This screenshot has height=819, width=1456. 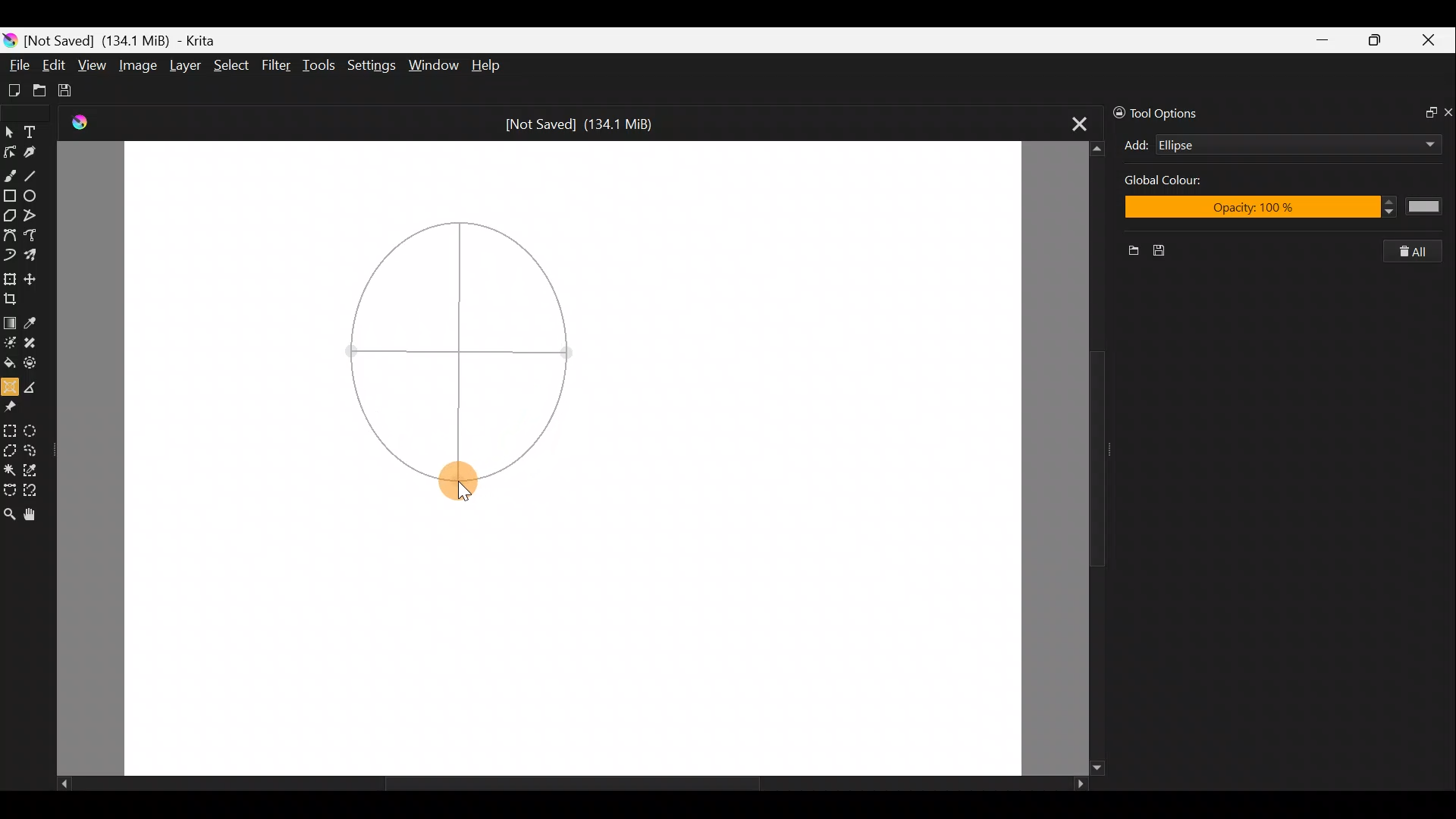 What do you see at coordinates (30, 514) in the screenshot?
I see `Pan tool` at bounding box center [30, 514].